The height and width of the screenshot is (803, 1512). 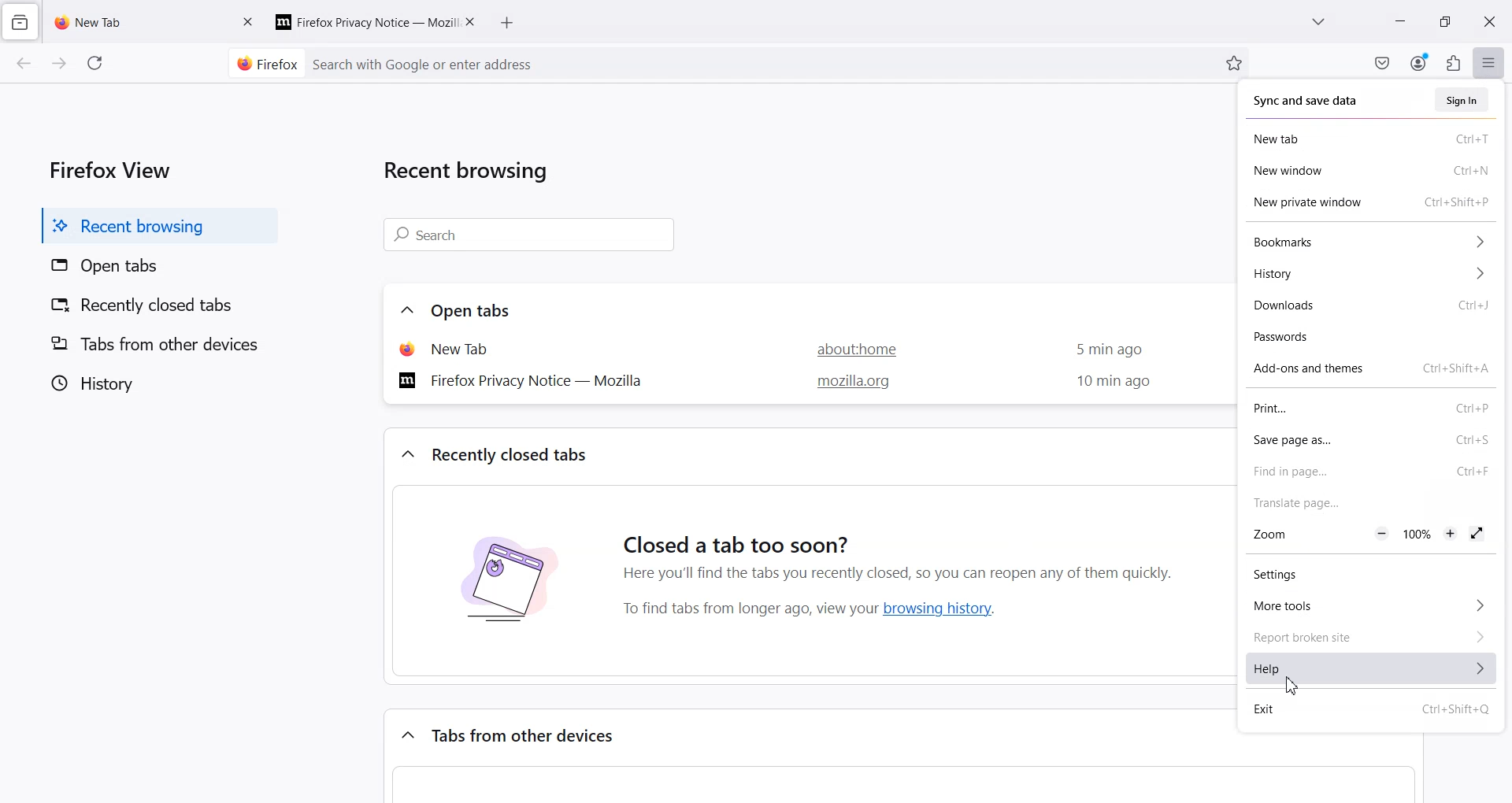 I want to click on Save to Pocket, so click(x=1382, y=63).